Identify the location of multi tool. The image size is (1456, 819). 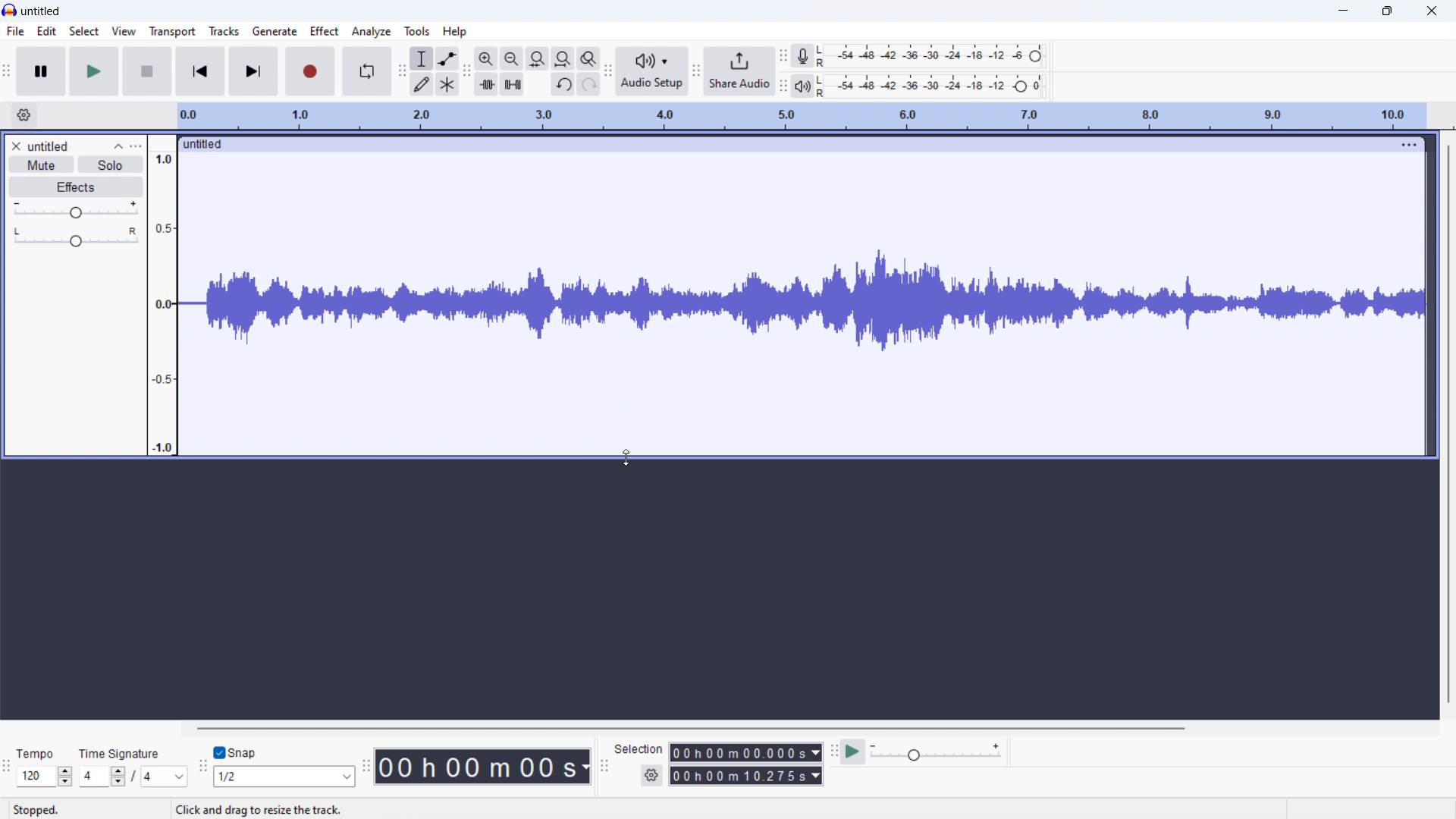
(447, 84).